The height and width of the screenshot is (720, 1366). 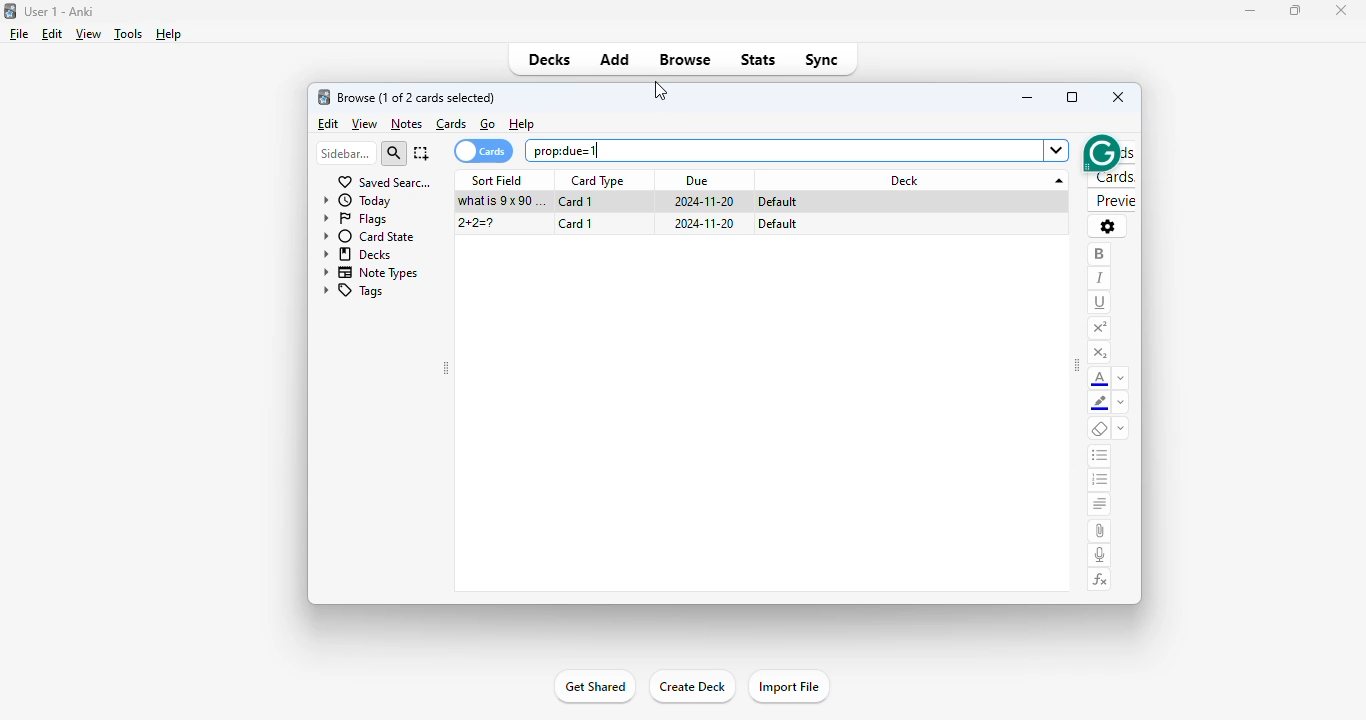 What do you see at coordinates (384, 183) in the screenshot?
I see `saved searches` at bounding box center [384, 183].